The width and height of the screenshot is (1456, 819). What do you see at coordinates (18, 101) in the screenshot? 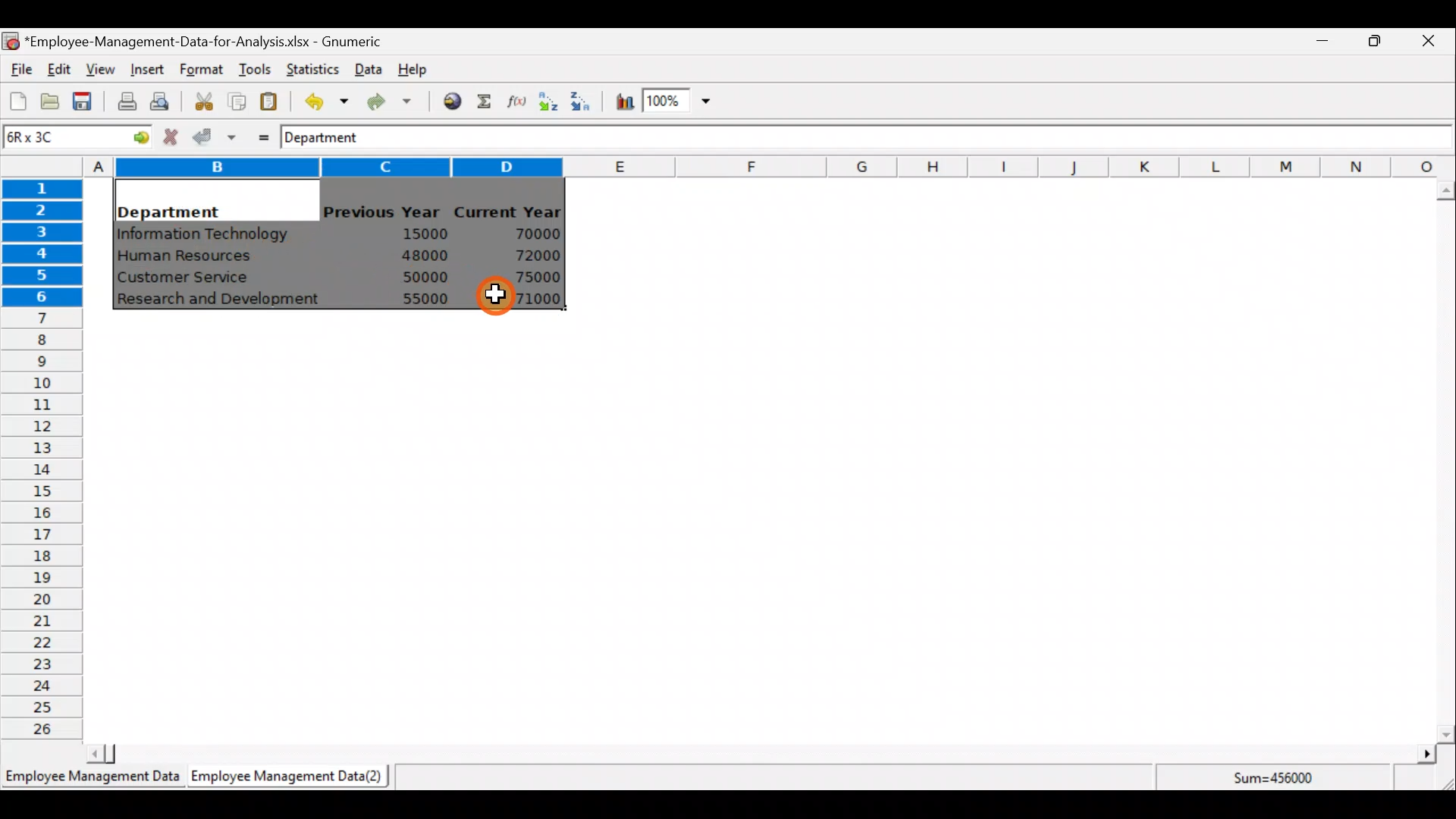
I see `Create a new workbook` at bounding box center [18, 101].